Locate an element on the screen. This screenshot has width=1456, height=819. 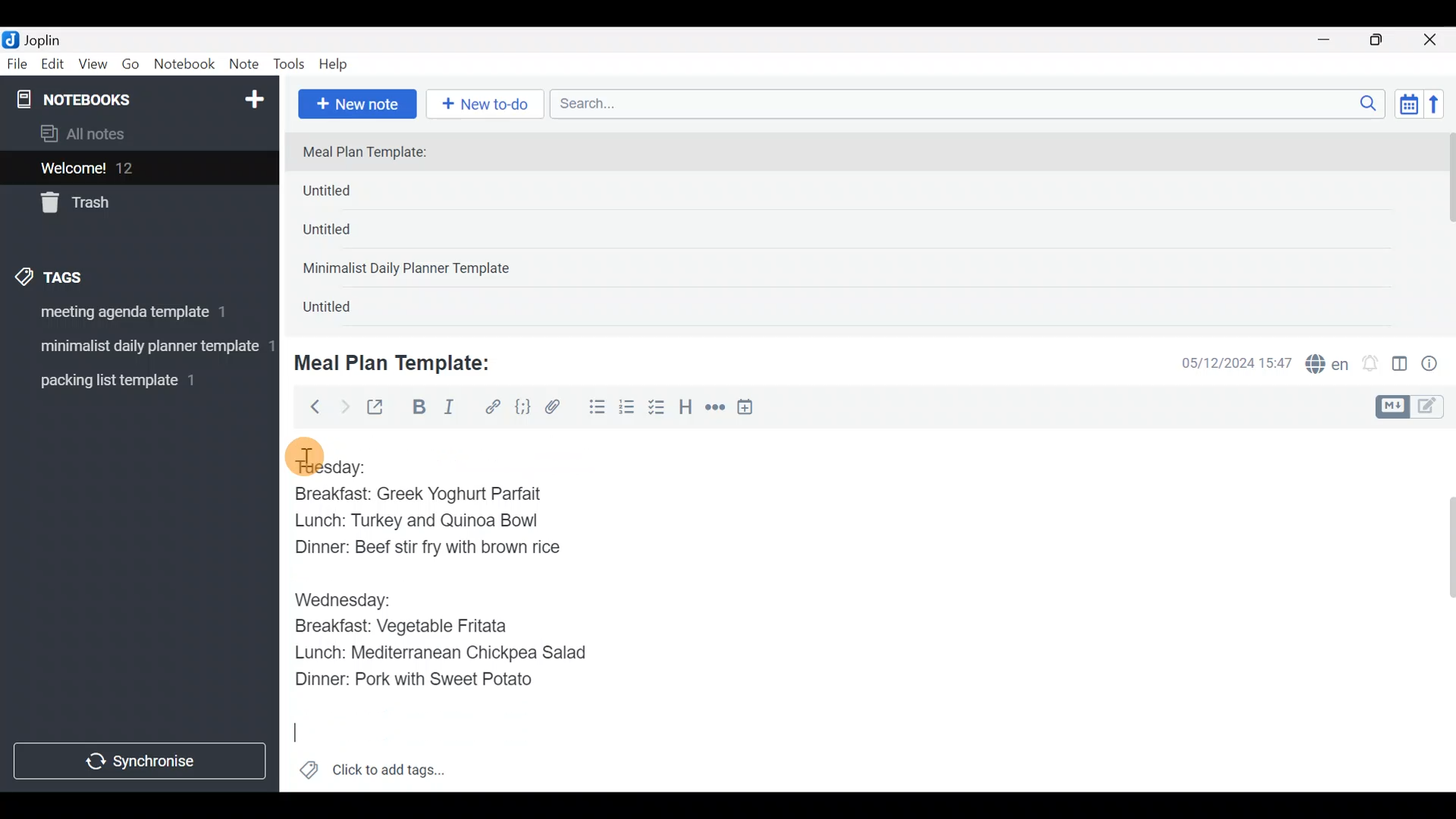
cursor is located at coordinates (303, 457).